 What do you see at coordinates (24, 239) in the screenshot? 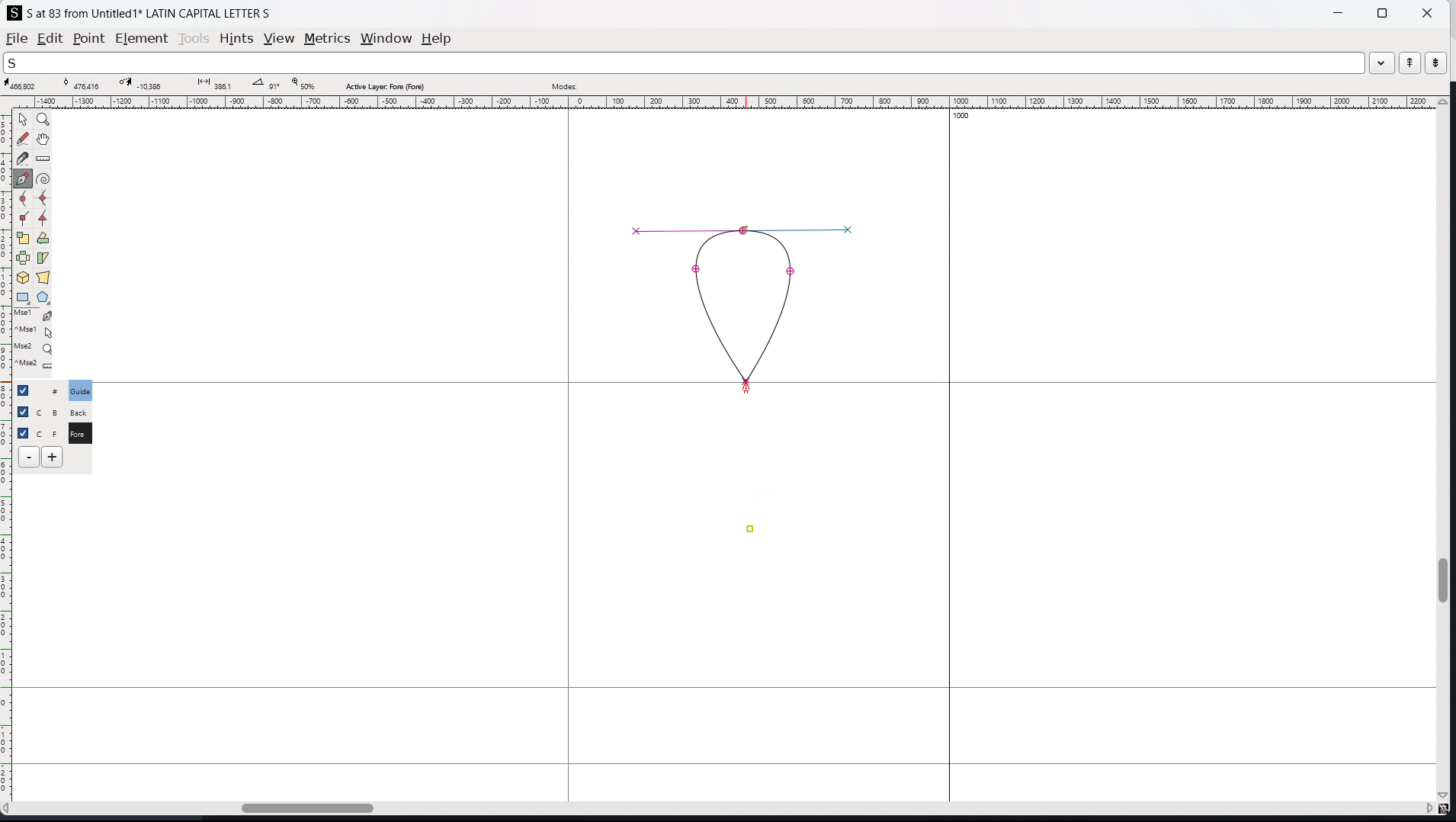
I see `scale the selection` at bounding box center [24, 239].